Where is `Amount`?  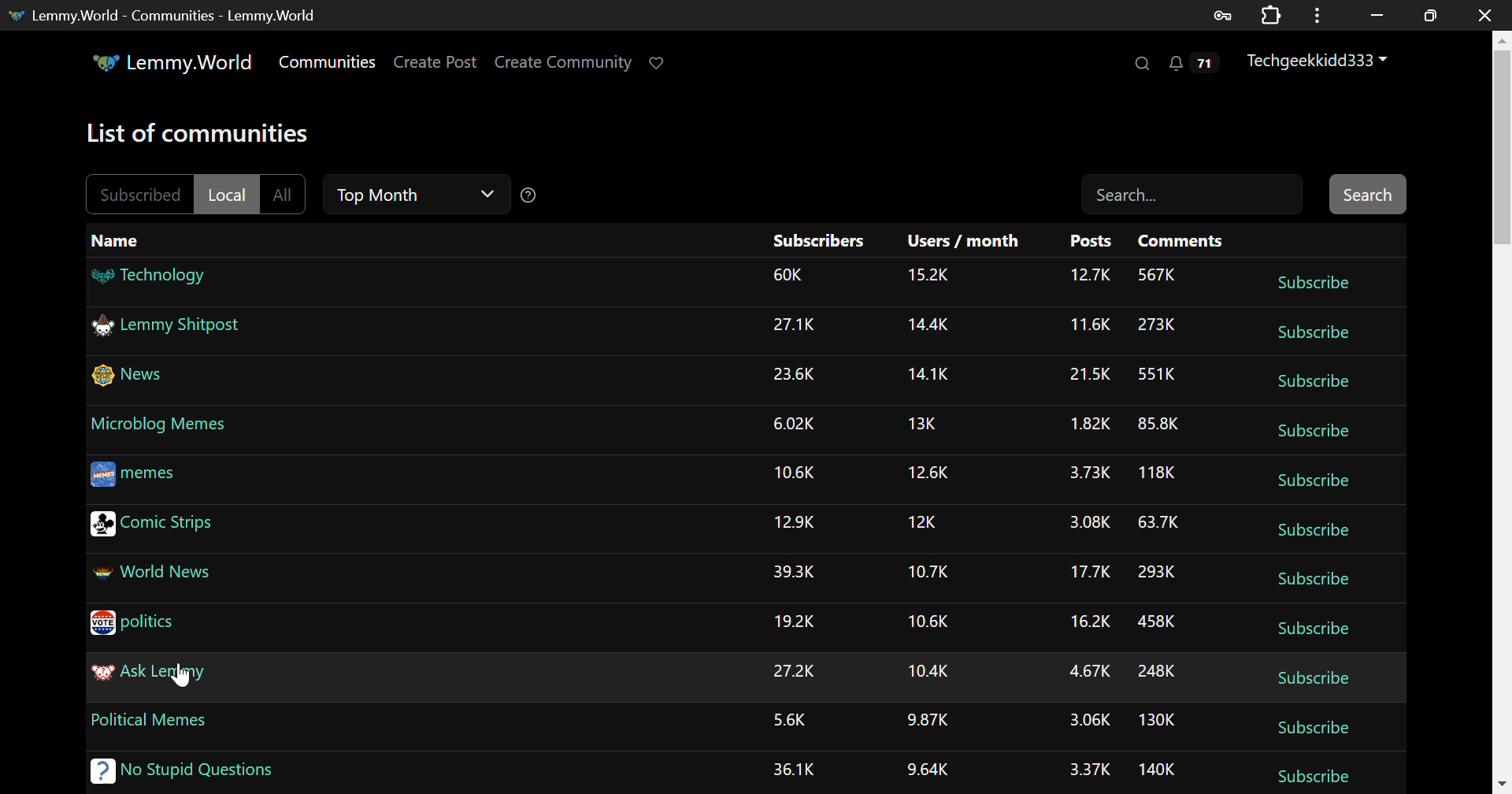
Amount is located at coordinates (1088, 376).